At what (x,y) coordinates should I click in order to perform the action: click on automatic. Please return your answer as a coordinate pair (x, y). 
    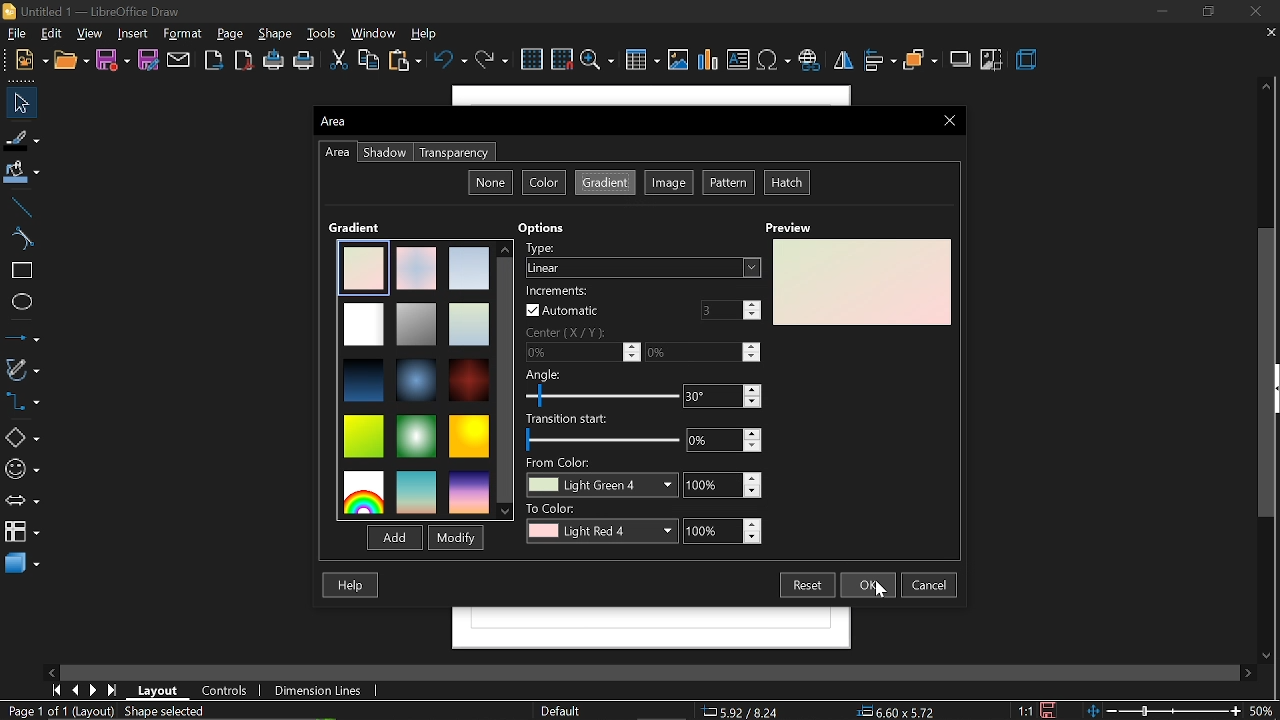
    Looking at the image, I should click on (562, 302).